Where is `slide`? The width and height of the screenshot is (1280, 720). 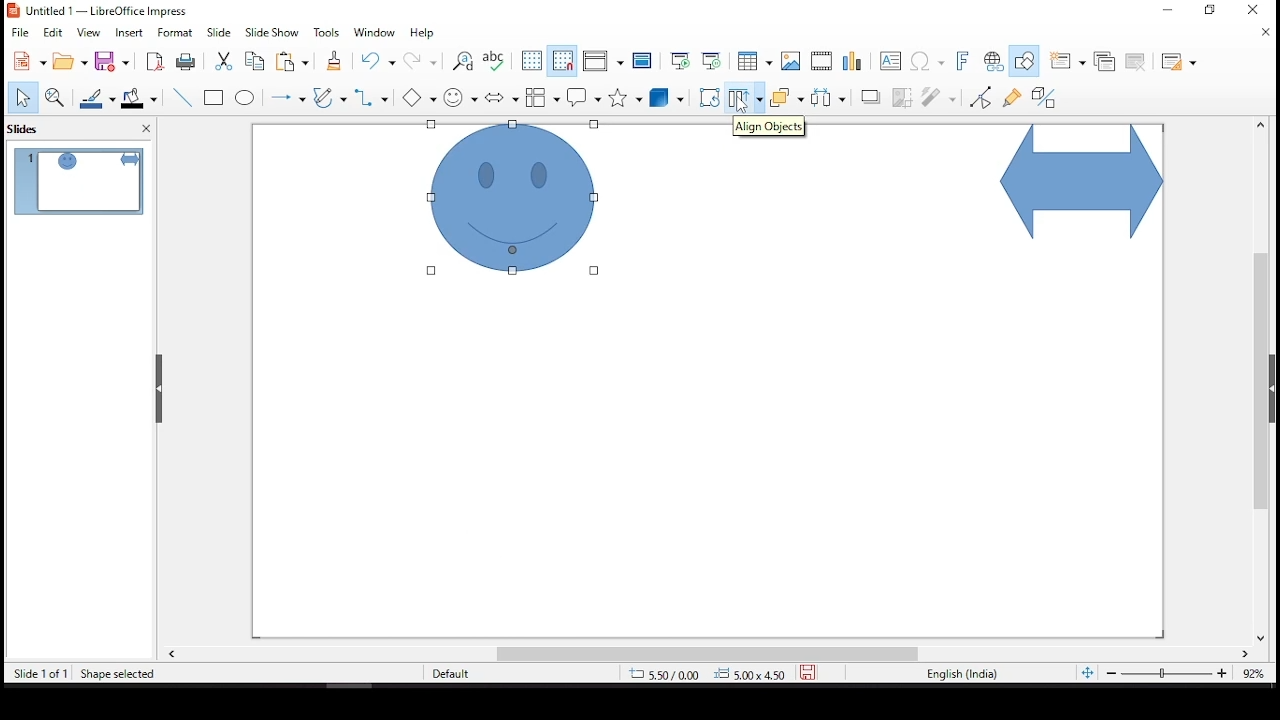 slide is located at coordinates (219, 32).